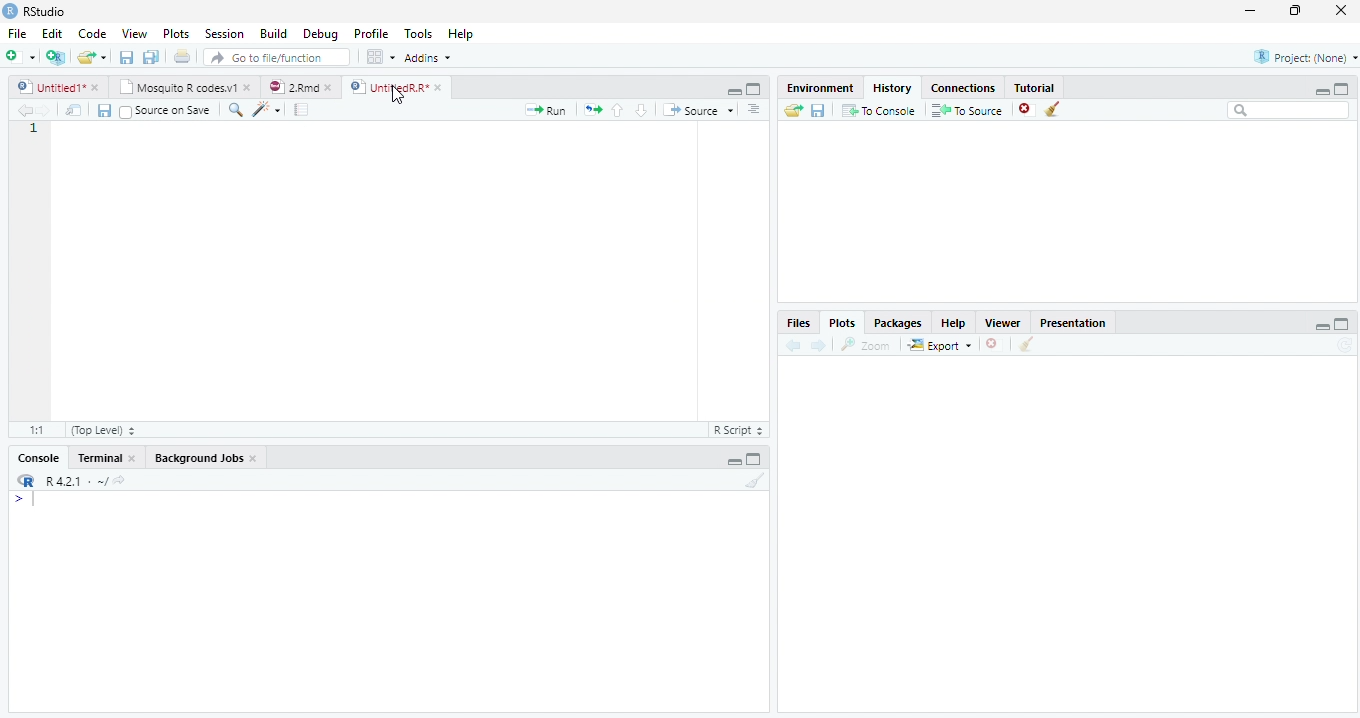 The width and height of the screenshot is (1360, 718). I want to click on To console, so click(879, 111).